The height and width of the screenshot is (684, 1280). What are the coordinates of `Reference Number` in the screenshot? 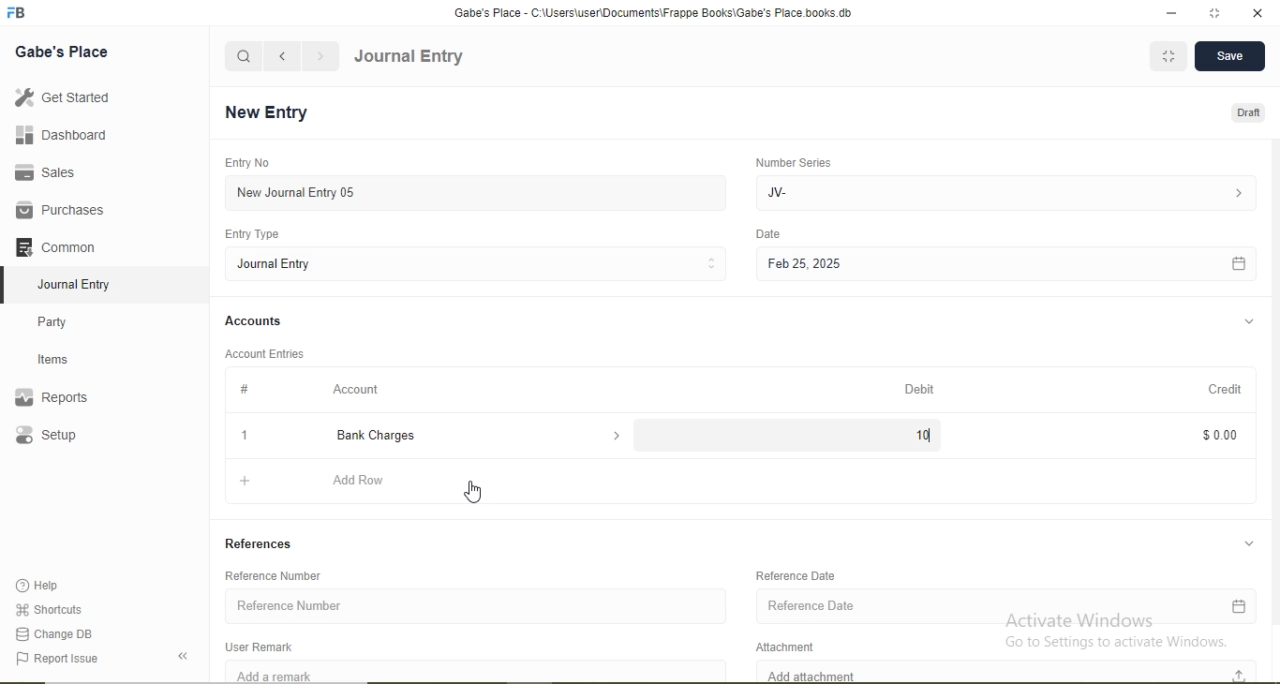 It's located at (281, 575).